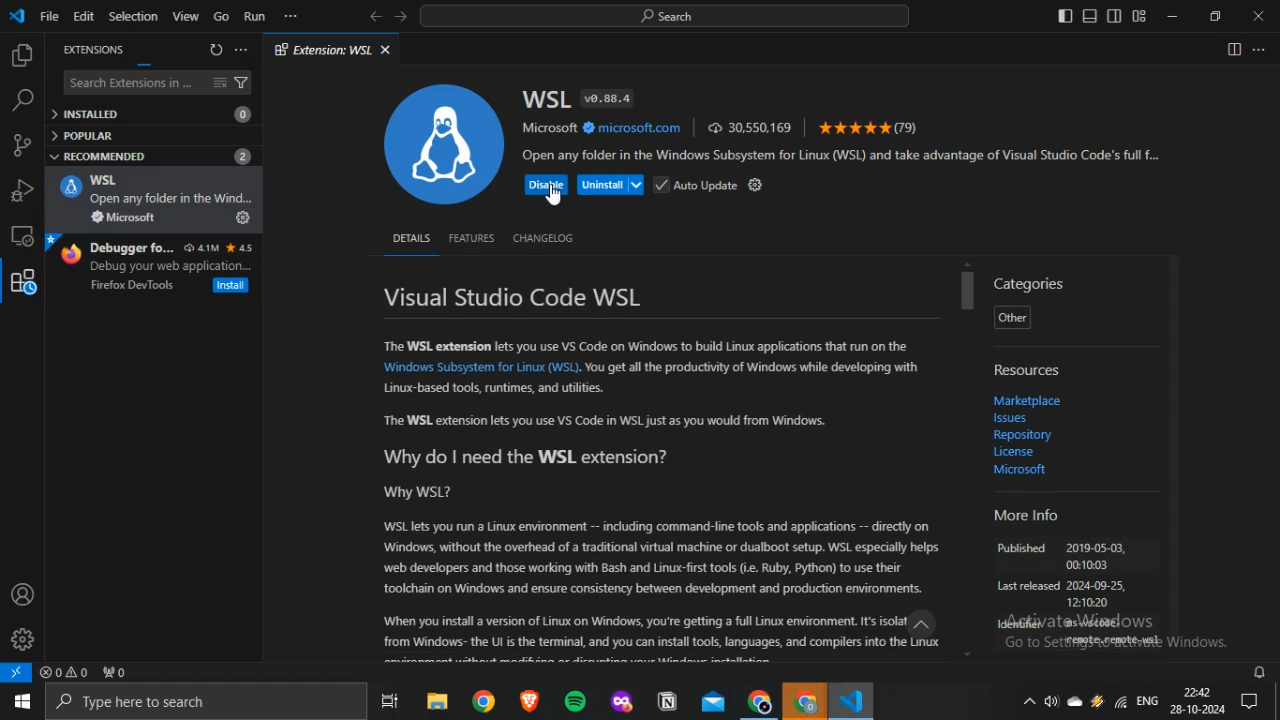 Image resolution: width=1280 pixels, height=720 pixels. I want to click on Firefox DevTools, so click(133, 286).